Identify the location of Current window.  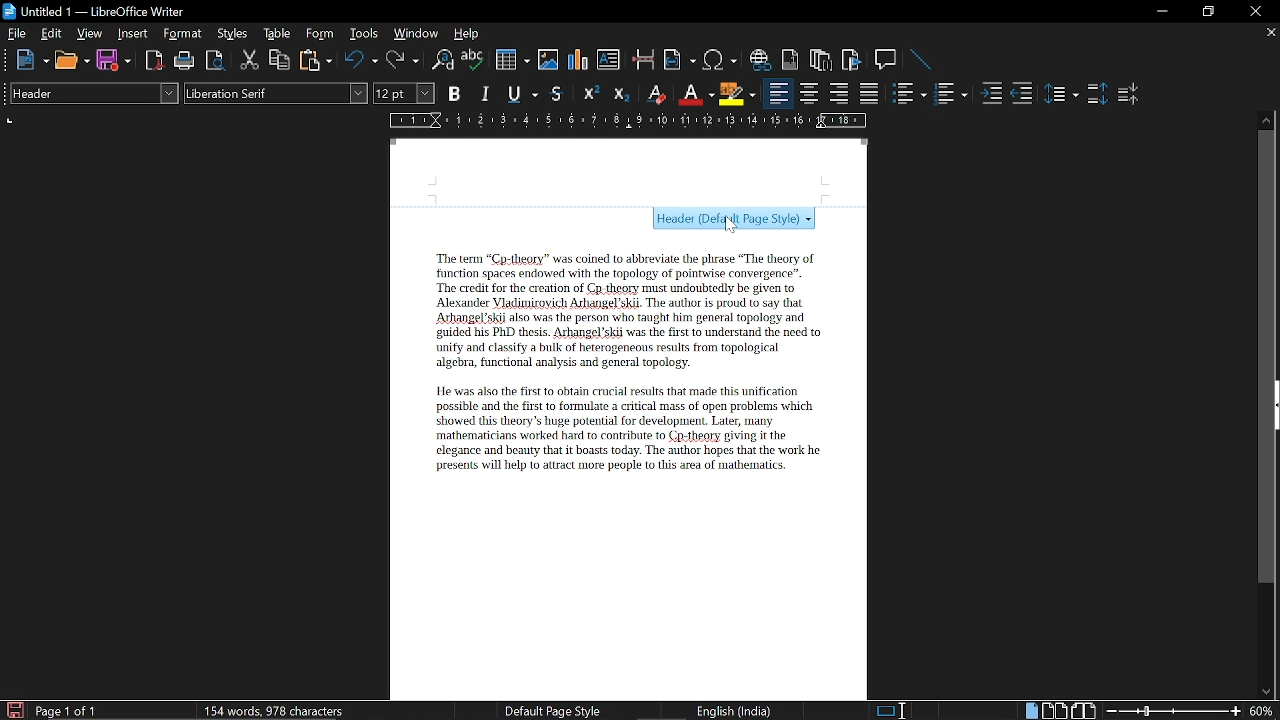
(94, 12).